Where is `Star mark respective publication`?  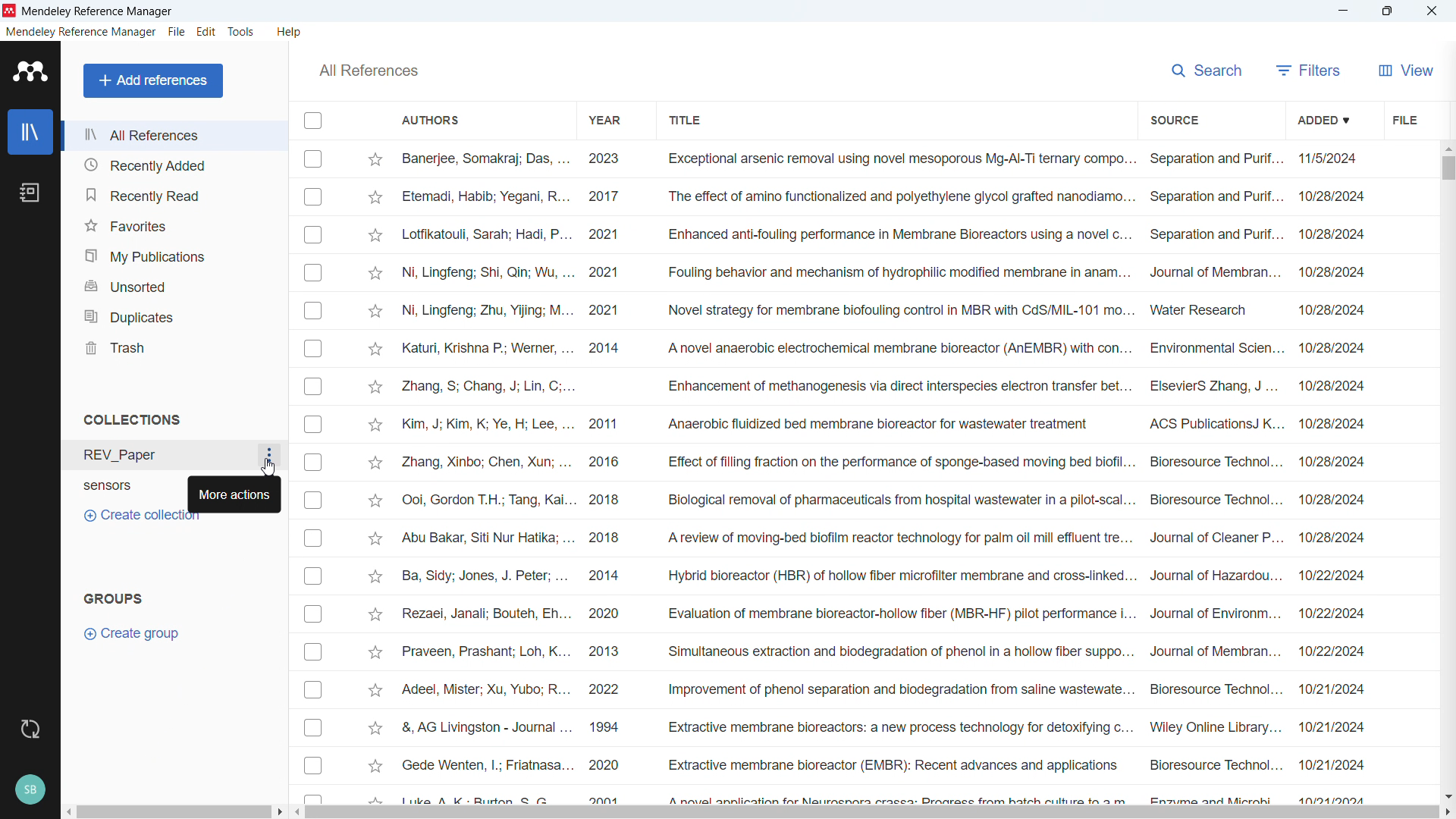 Star mark respective publication is located at coordinates (375, 652).